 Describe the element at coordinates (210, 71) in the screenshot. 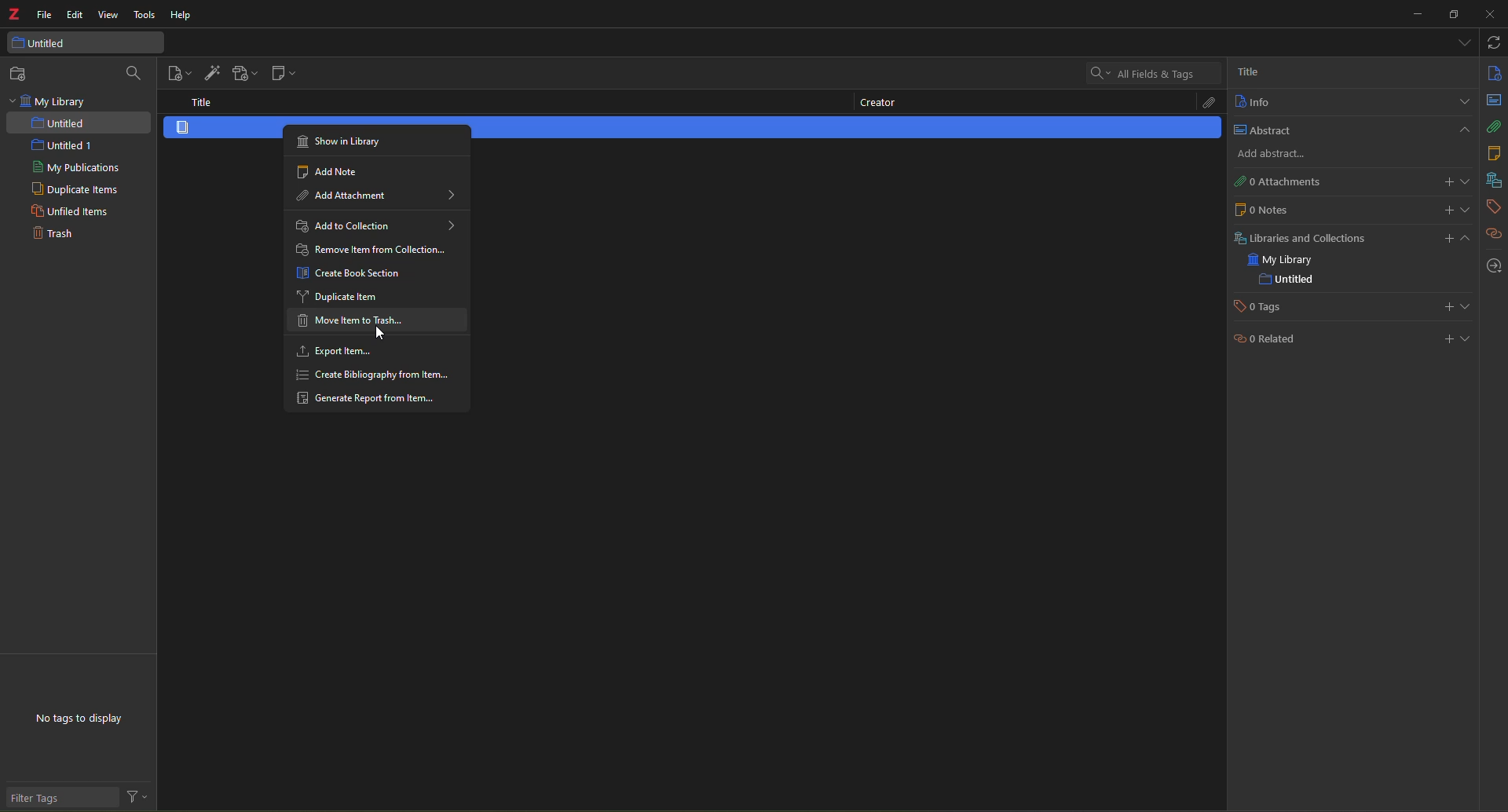

I see `add item` at that location.